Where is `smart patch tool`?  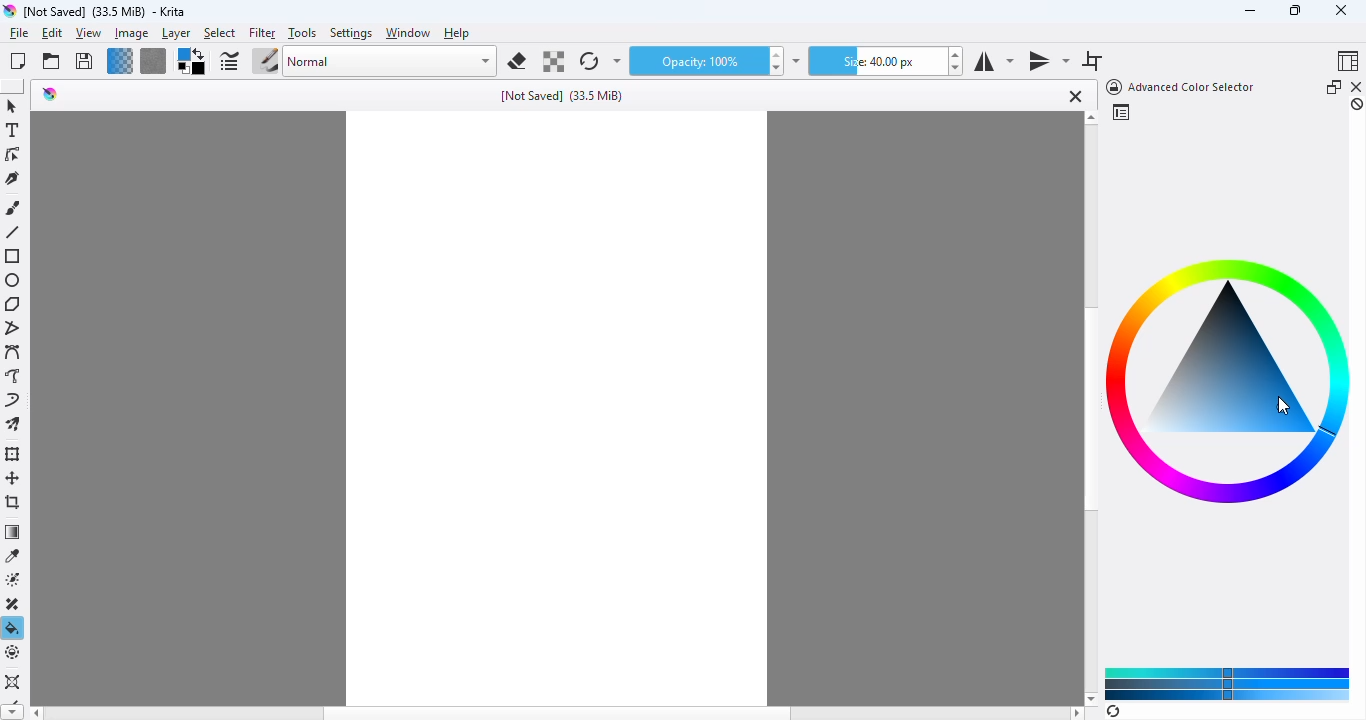
smart patch tool is located at coordinates (15, 604).